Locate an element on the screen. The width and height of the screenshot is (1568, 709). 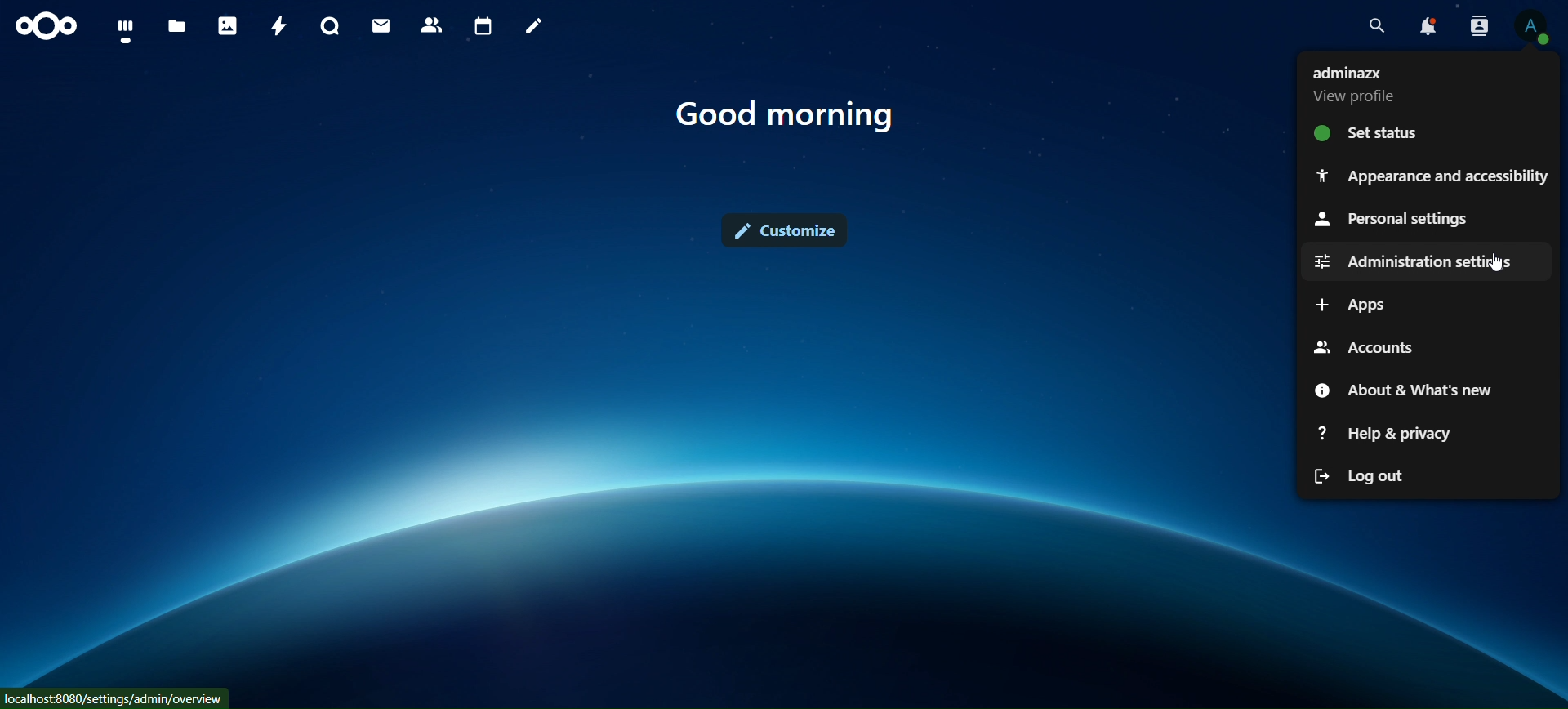
administration settings is located at coordinates (1419, 260).